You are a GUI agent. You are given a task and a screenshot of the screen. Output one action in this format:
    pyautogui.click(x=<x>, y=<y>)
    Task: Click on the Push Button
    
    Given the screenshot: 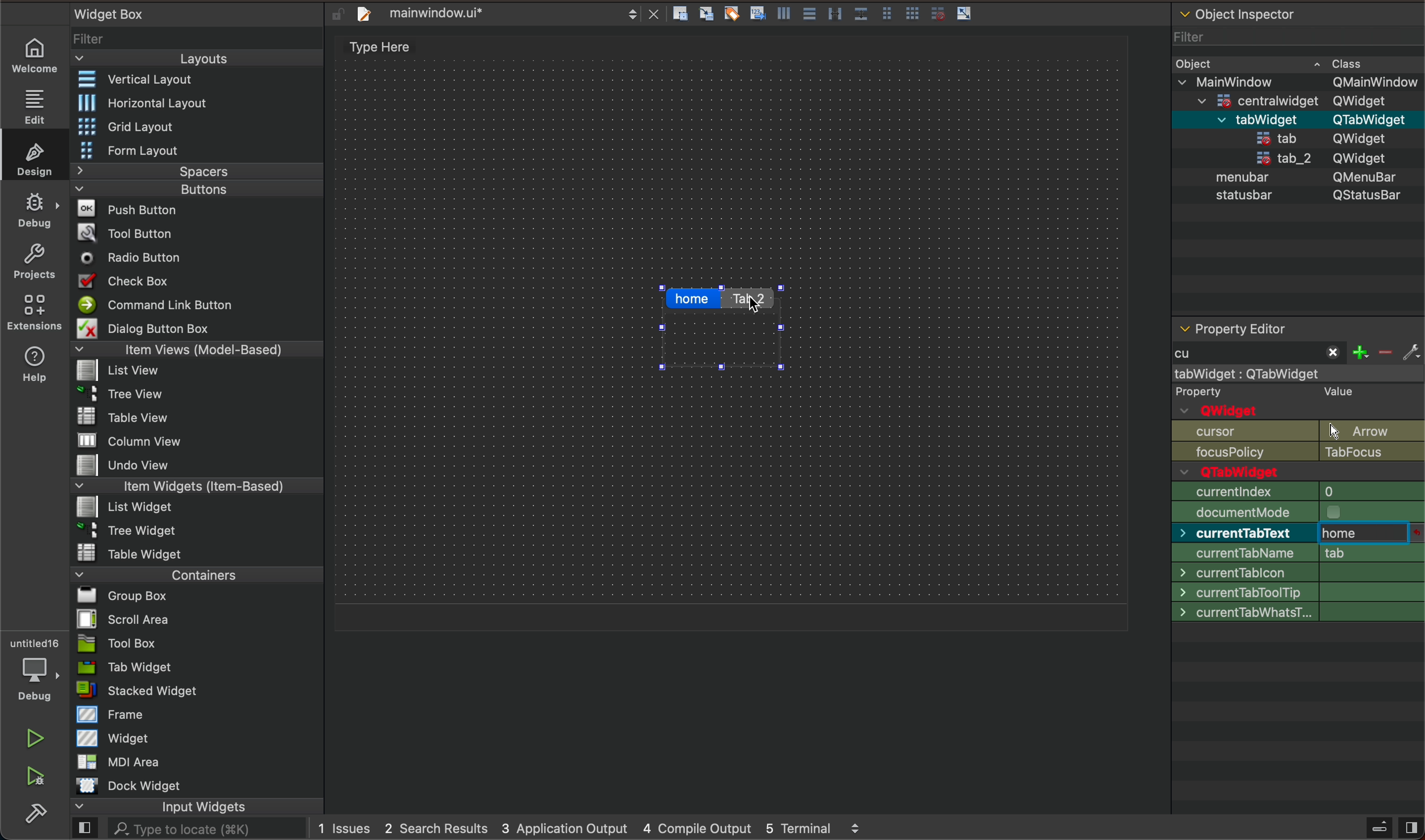 What is the action you would take?
    pyautogui.click(x=119, y=209)
    